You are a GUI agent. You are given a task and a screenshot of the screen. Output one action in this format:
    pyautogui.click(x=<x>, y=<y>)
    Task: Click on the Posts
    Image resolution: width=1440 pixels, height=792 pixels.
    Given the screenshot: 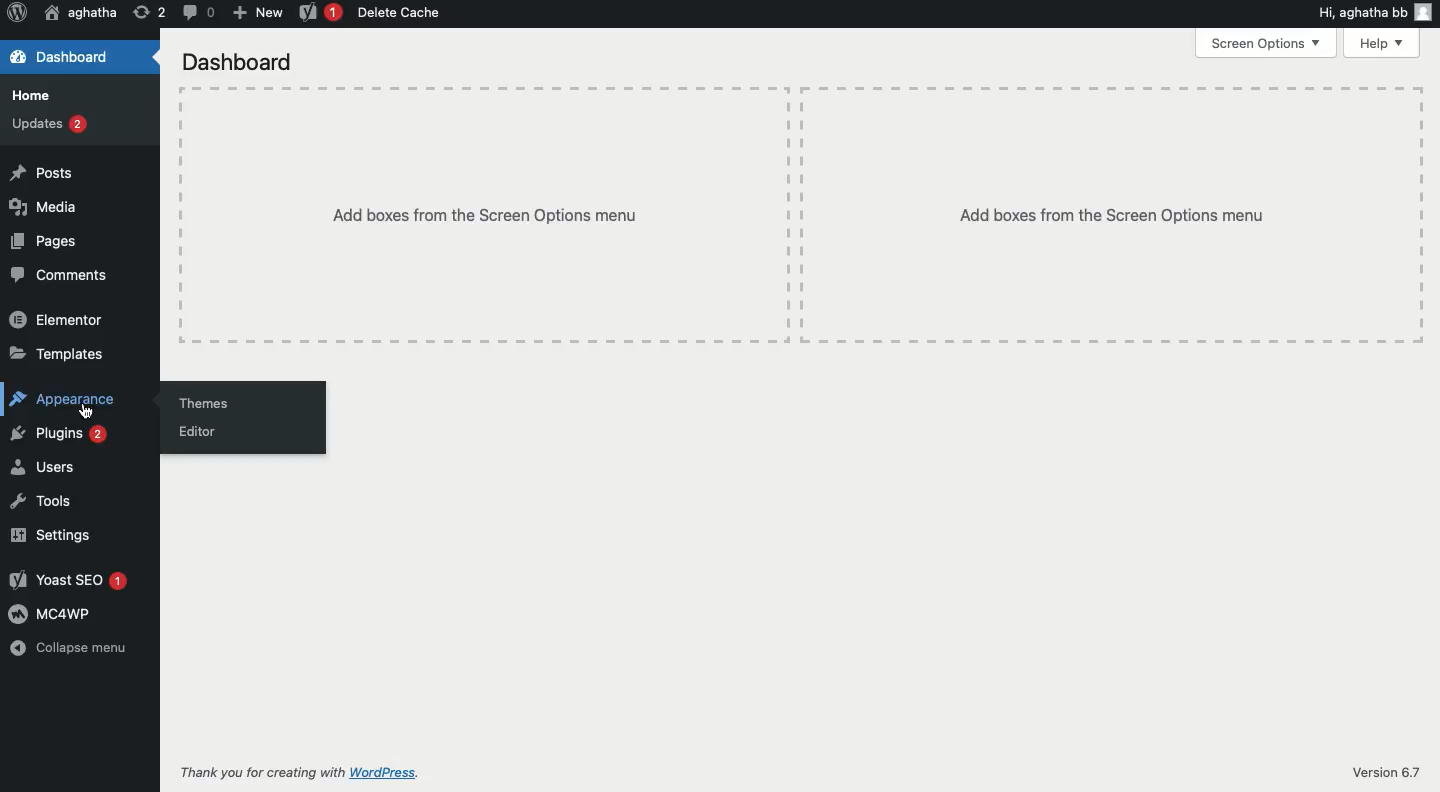 What is the action you would take?
    pyautogui.click(x=44, y=170)
    